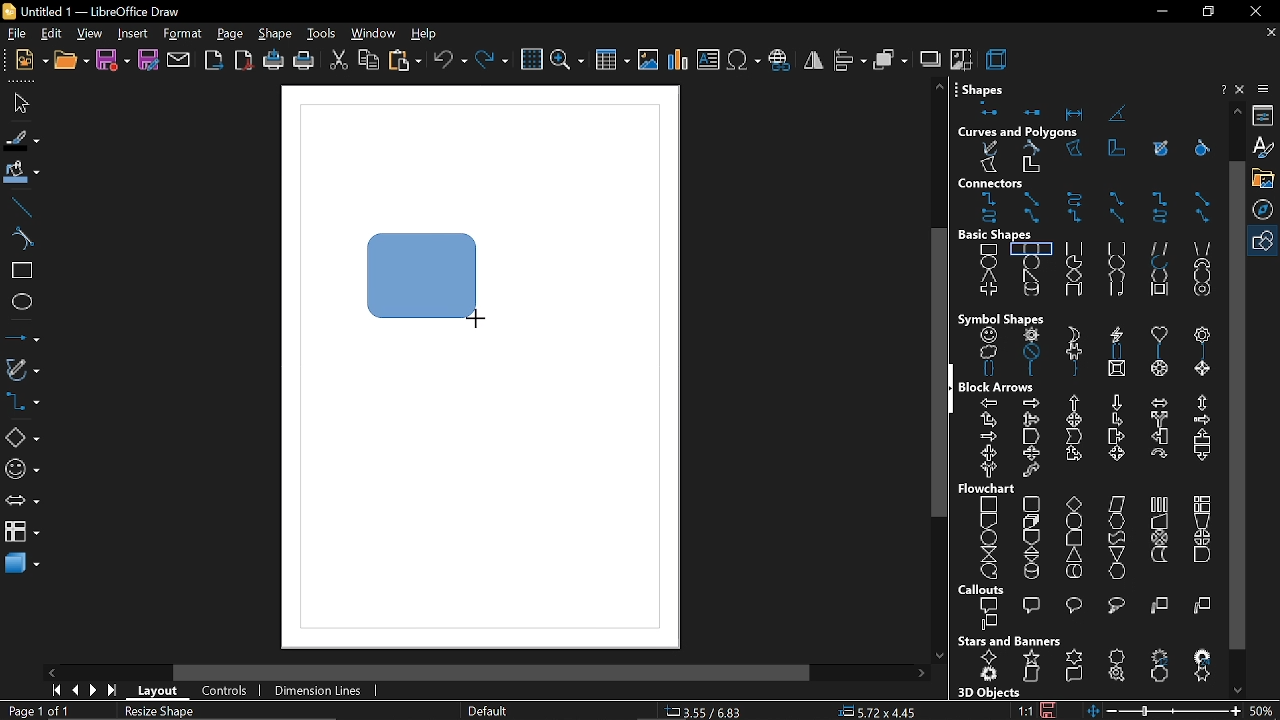 The image size is (1280, 720). I want to click on go to last page, so click(114, 692).